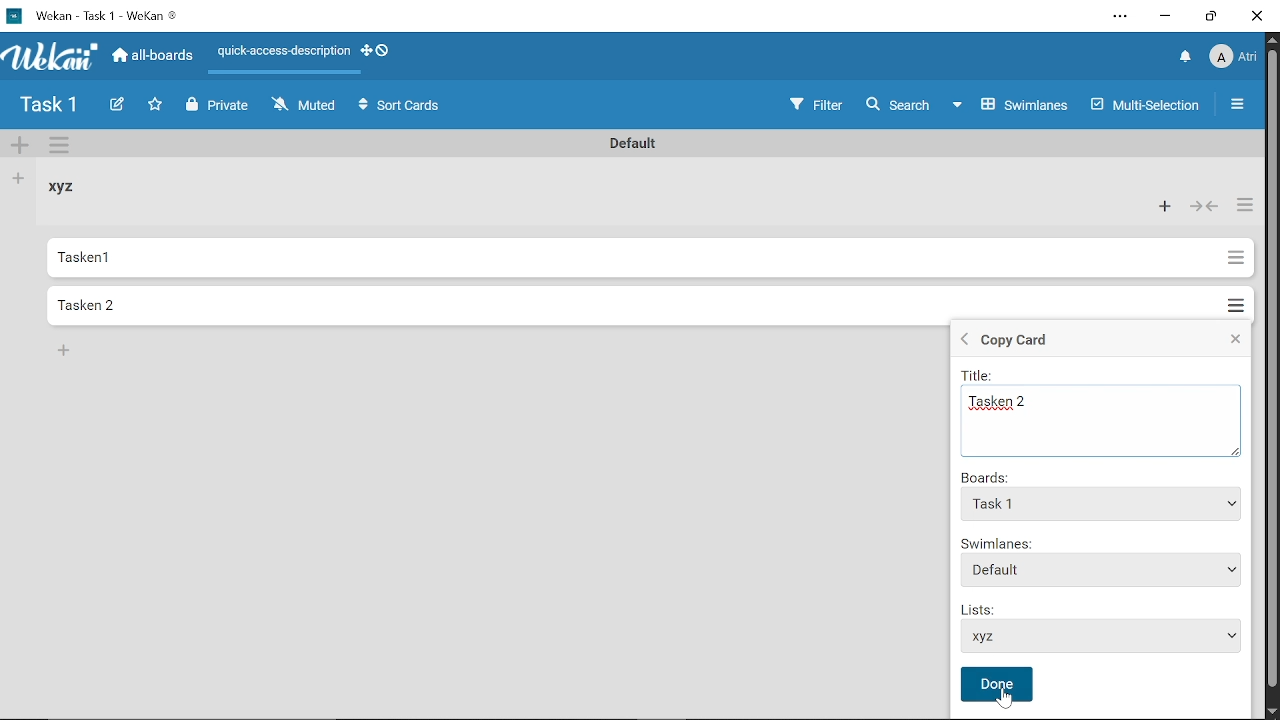 This screenshot has height=720, width=1280. Describe the element at coordinates (62, 147) in the screenshot. I see `manage swimlane` at that location.